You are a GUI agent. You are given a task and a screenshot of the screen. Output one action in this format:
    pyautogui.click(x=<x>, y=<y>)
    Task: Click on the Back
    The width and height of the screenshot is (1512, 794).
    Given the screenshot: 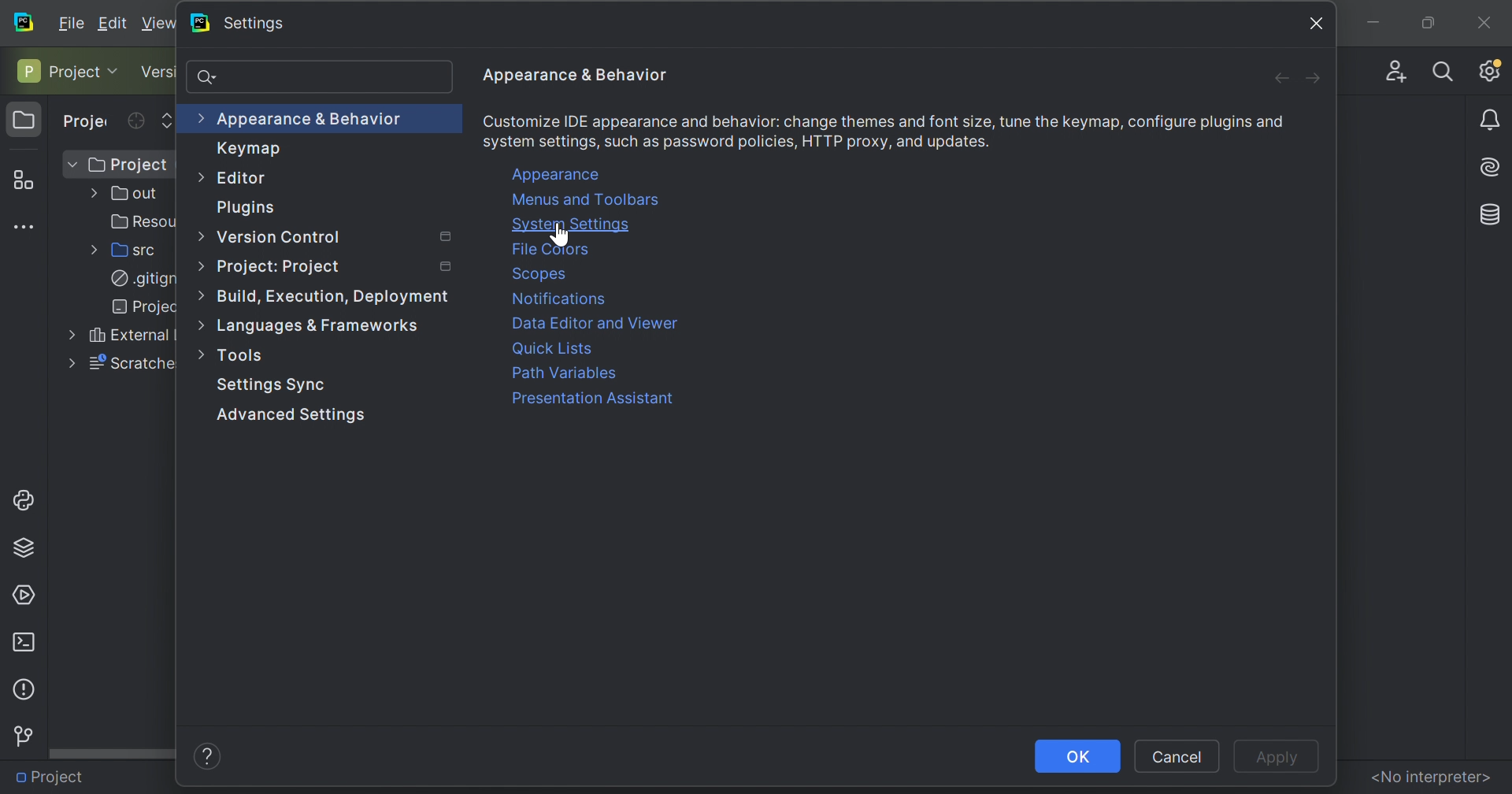 What is the action you would take?
    pyautogui.click(x=1273, y=78)
    